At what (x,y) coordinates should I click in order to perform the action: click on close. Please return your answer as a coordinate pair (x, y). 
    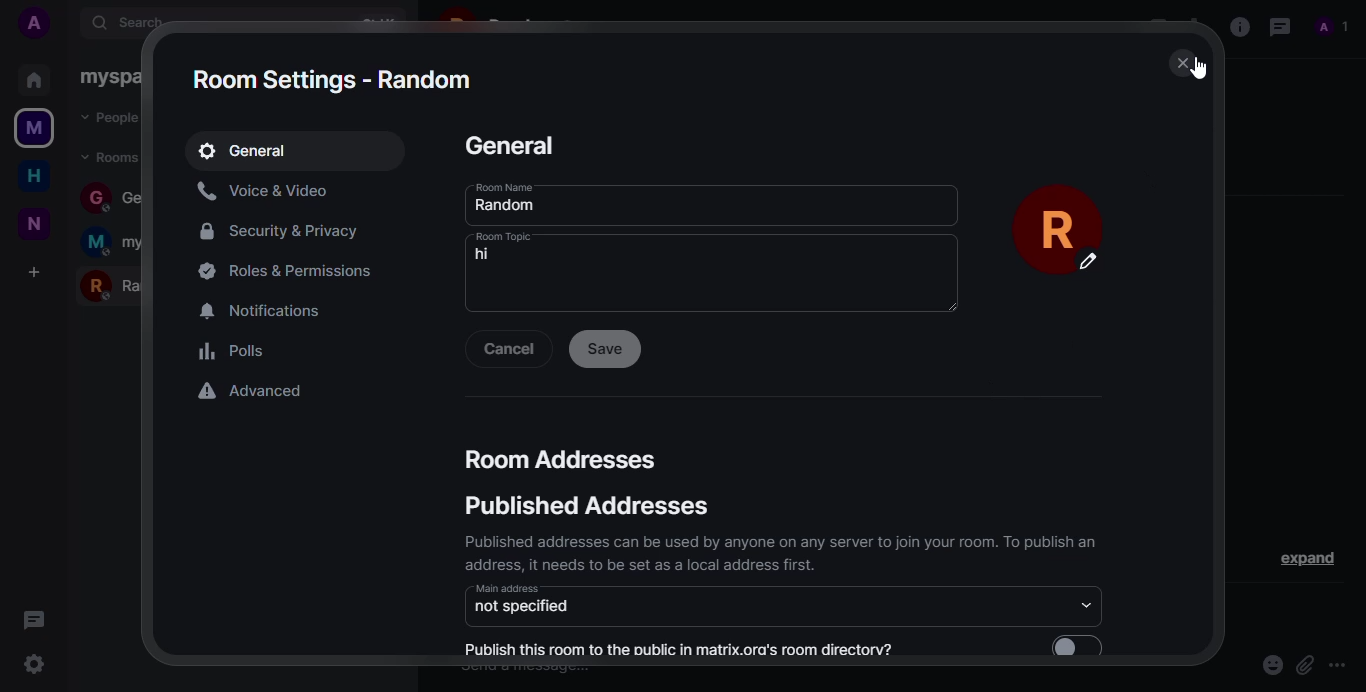
    Looking at the image, I should click on (1187, 64).